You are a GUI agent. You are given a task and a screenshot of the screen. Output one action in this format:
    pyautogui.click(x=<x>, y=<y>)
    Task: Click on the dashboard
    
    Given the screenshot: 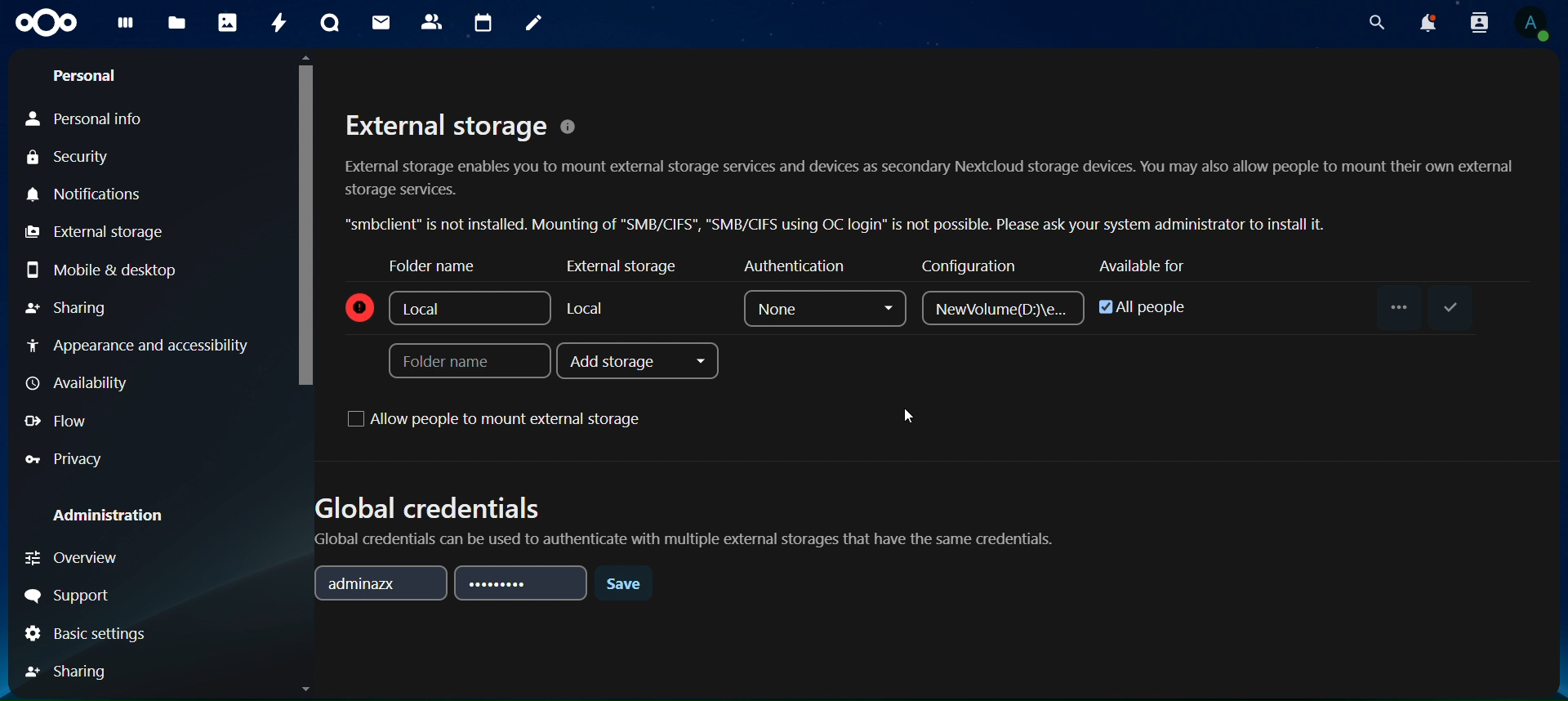 What is the action you would take?
    pyautogui.click(x=127, y=26)
    